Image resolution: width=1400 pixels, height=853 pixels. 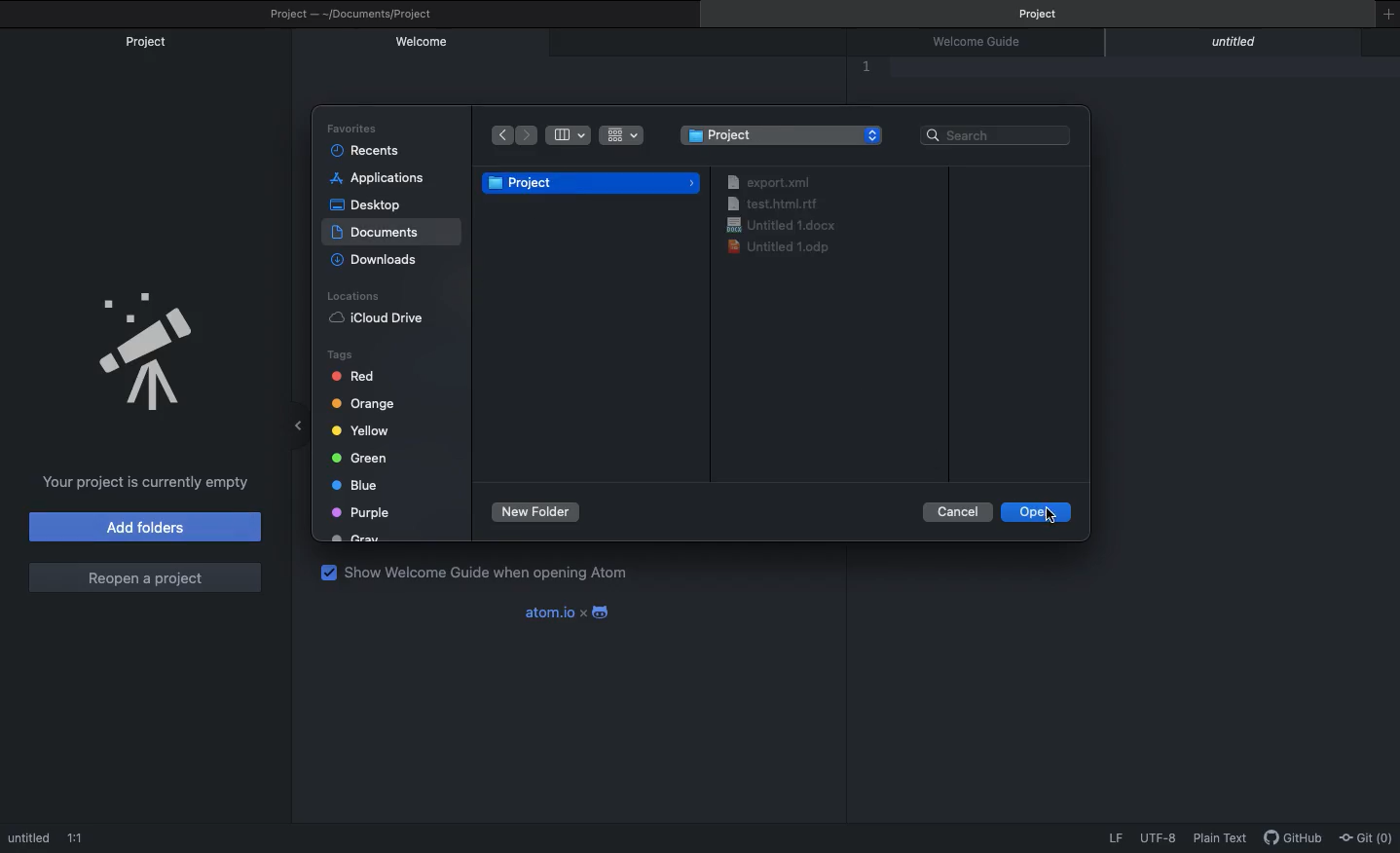 I want to click on Project, so click(x=520, y=185).